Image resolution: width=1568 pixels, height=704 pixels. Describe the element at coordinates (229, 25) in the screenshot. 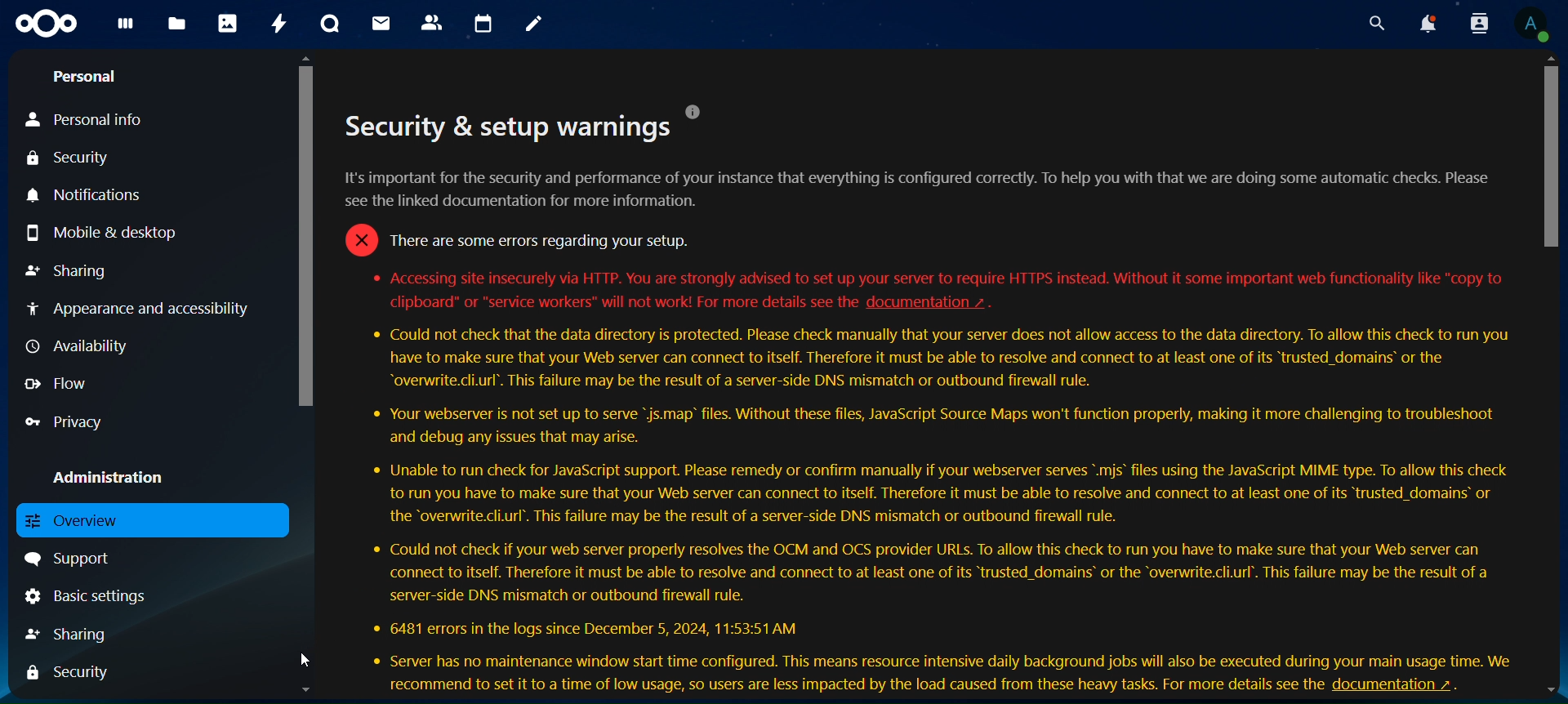

I see `photos` at that location.